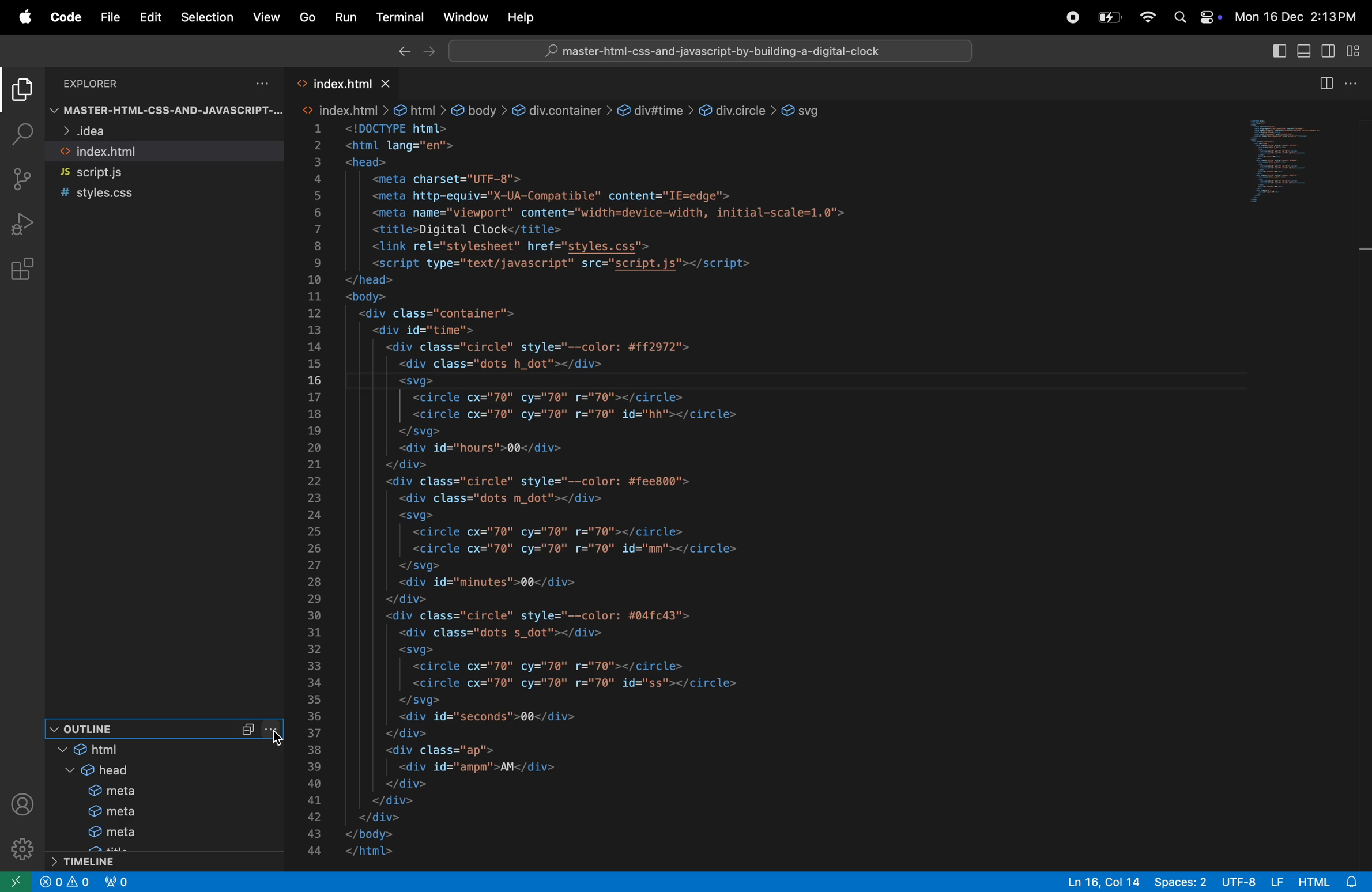 This screenshot has width=1372, height=892. What do you see at coordinates (326, 82) in the screenshot?
I see `index.html tab` at bounding box center [326, 82].